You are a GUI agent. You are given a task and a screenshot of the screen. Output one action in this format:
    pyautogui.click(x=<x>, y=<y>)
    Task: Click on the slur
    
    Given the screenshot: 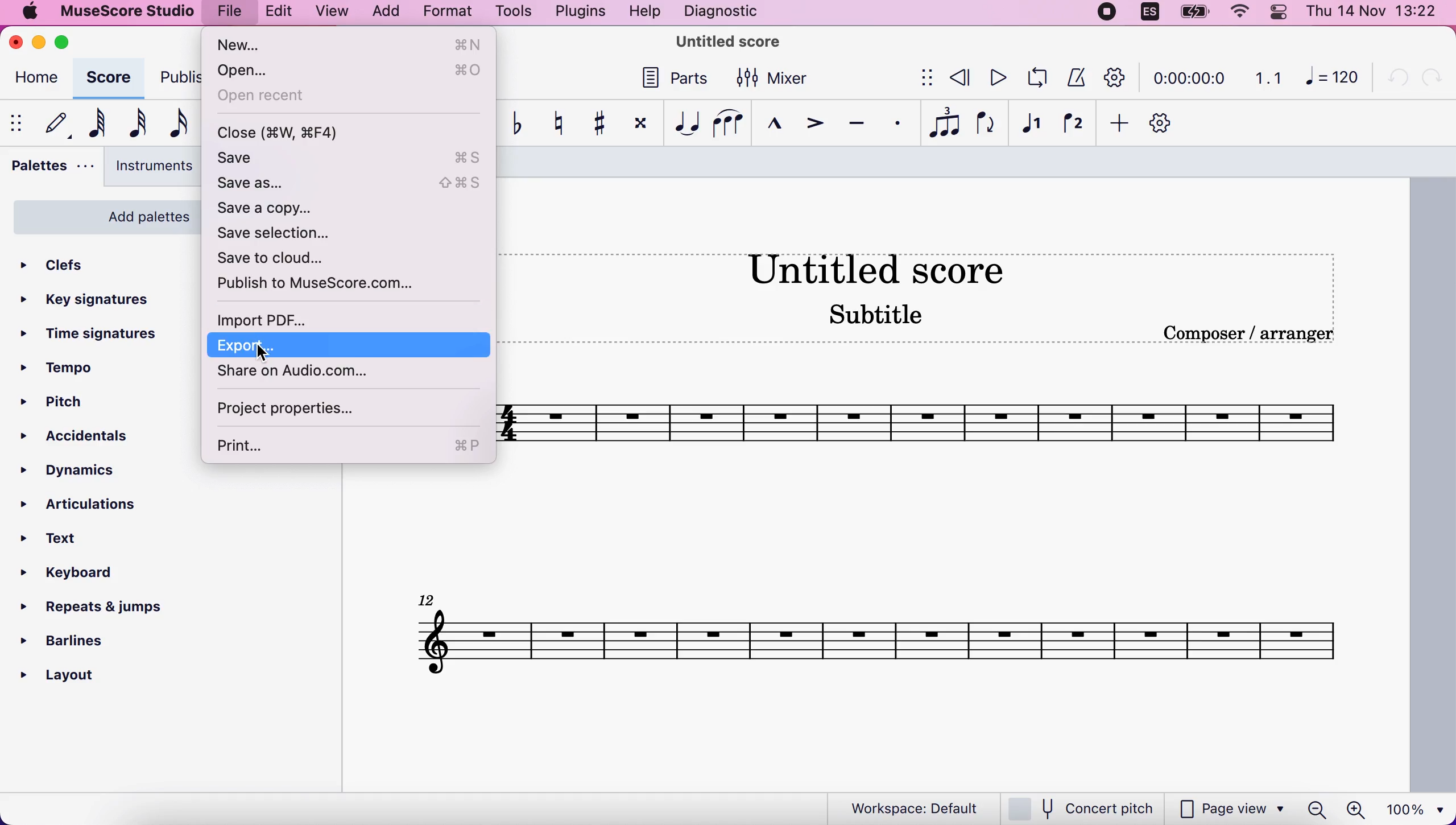 What is the action you would take?
    pyautogui.click(x=726, y=125)
    